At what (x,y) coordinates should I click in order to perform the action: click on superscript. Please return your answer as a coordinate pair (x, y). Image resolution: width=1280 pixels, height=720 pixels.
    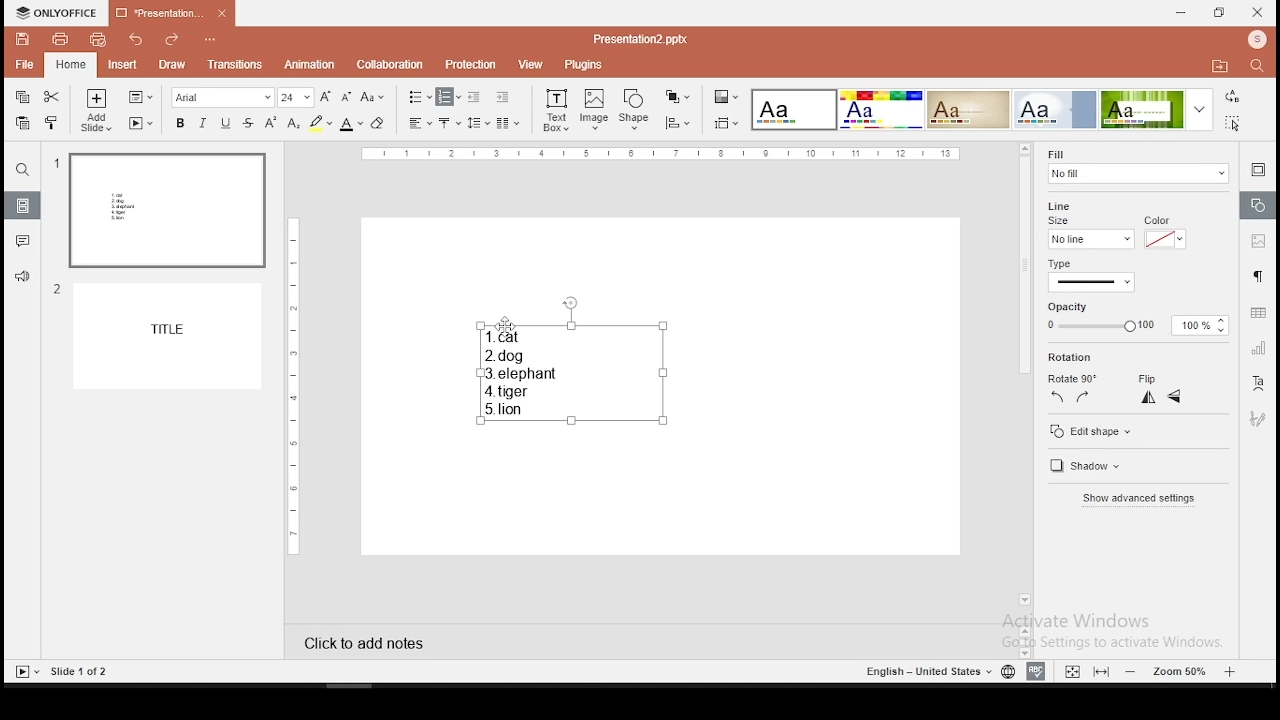
    Looking at the image, I should click on (271, 123).